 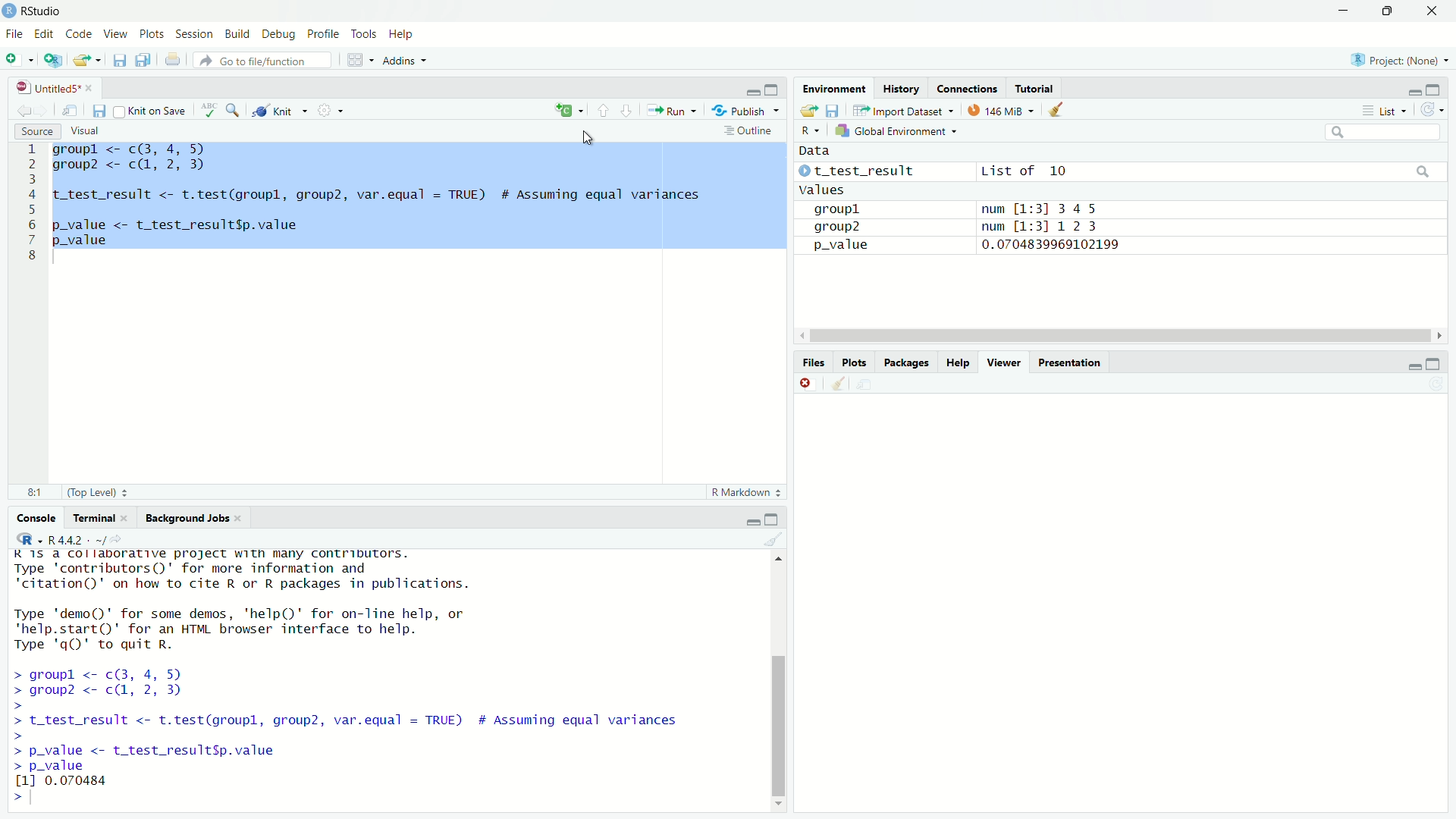 I want to click on save all open document, so click(x=141, y=58).